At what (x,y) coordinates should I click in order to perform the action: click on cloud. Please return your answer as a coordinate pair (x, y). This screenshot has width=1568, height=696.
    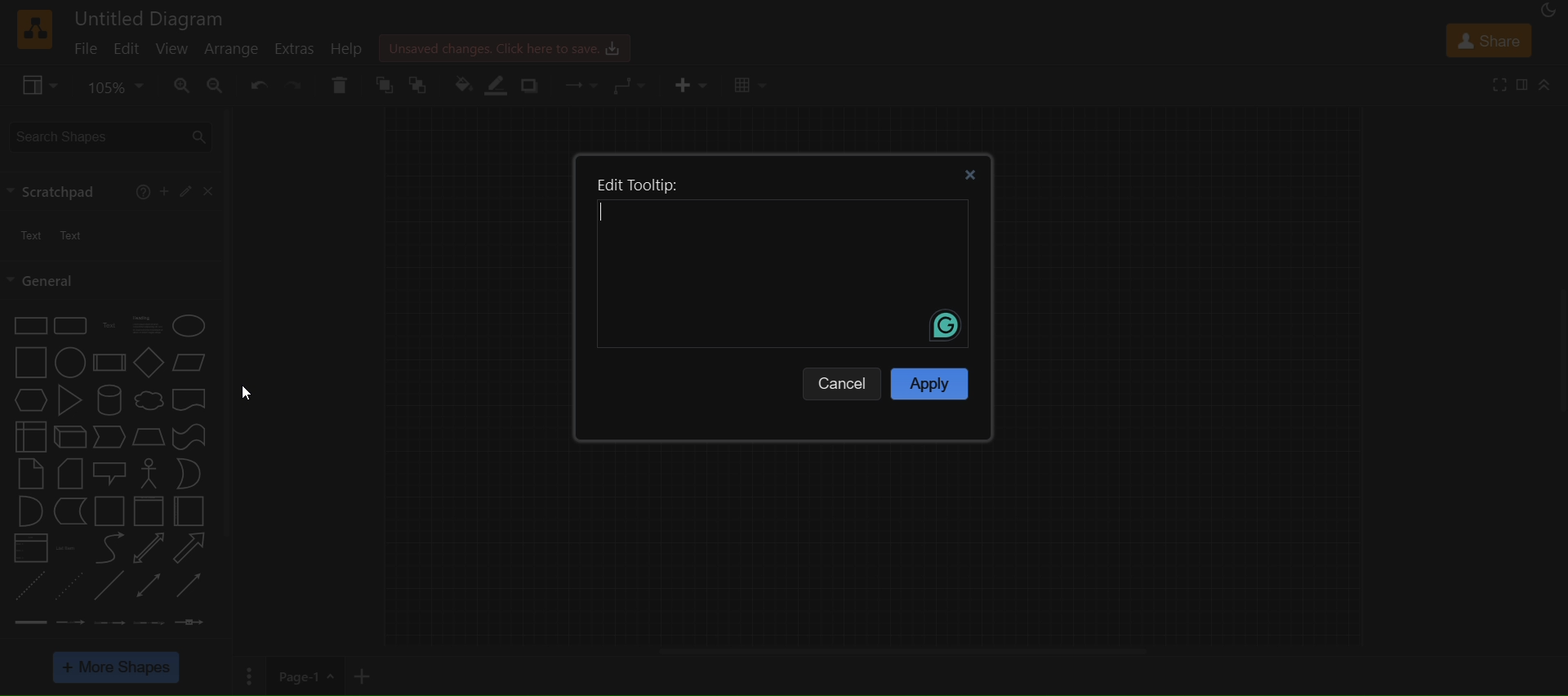
    Looking at the image, I should click on (148, 400).